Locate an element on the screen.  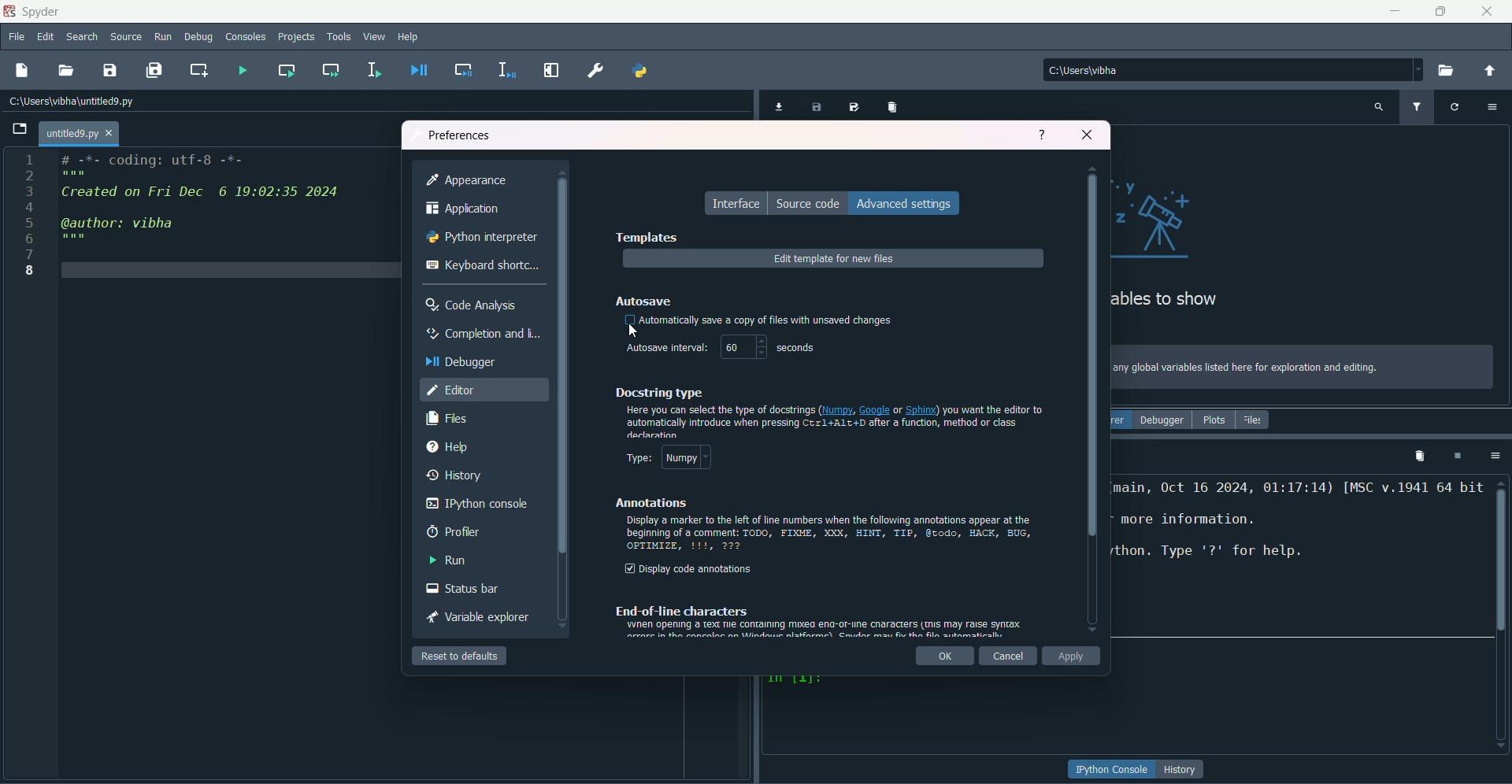
File path is located at coordinates (75, 101).